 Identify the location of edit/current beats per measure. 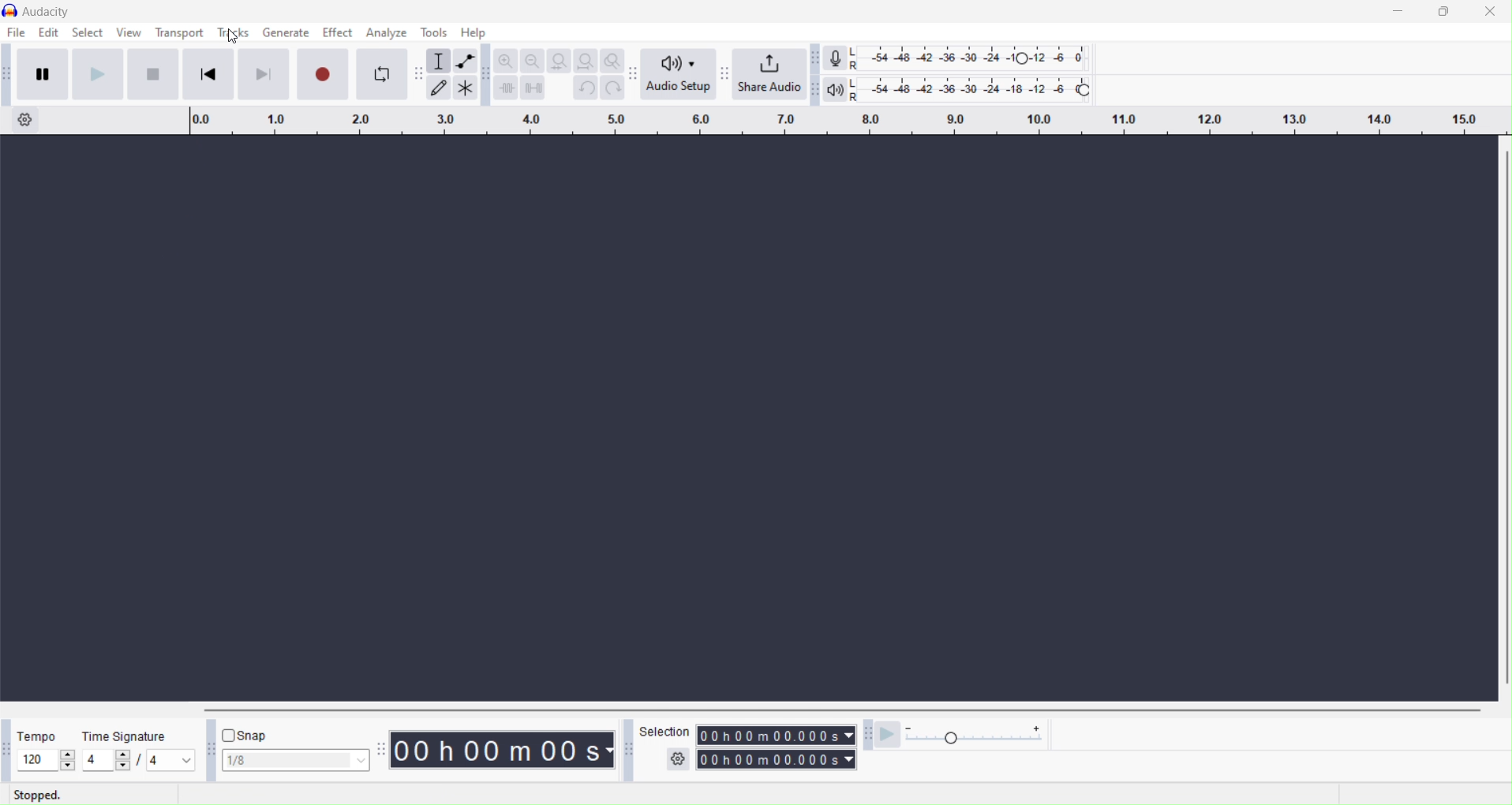
(95, 759).